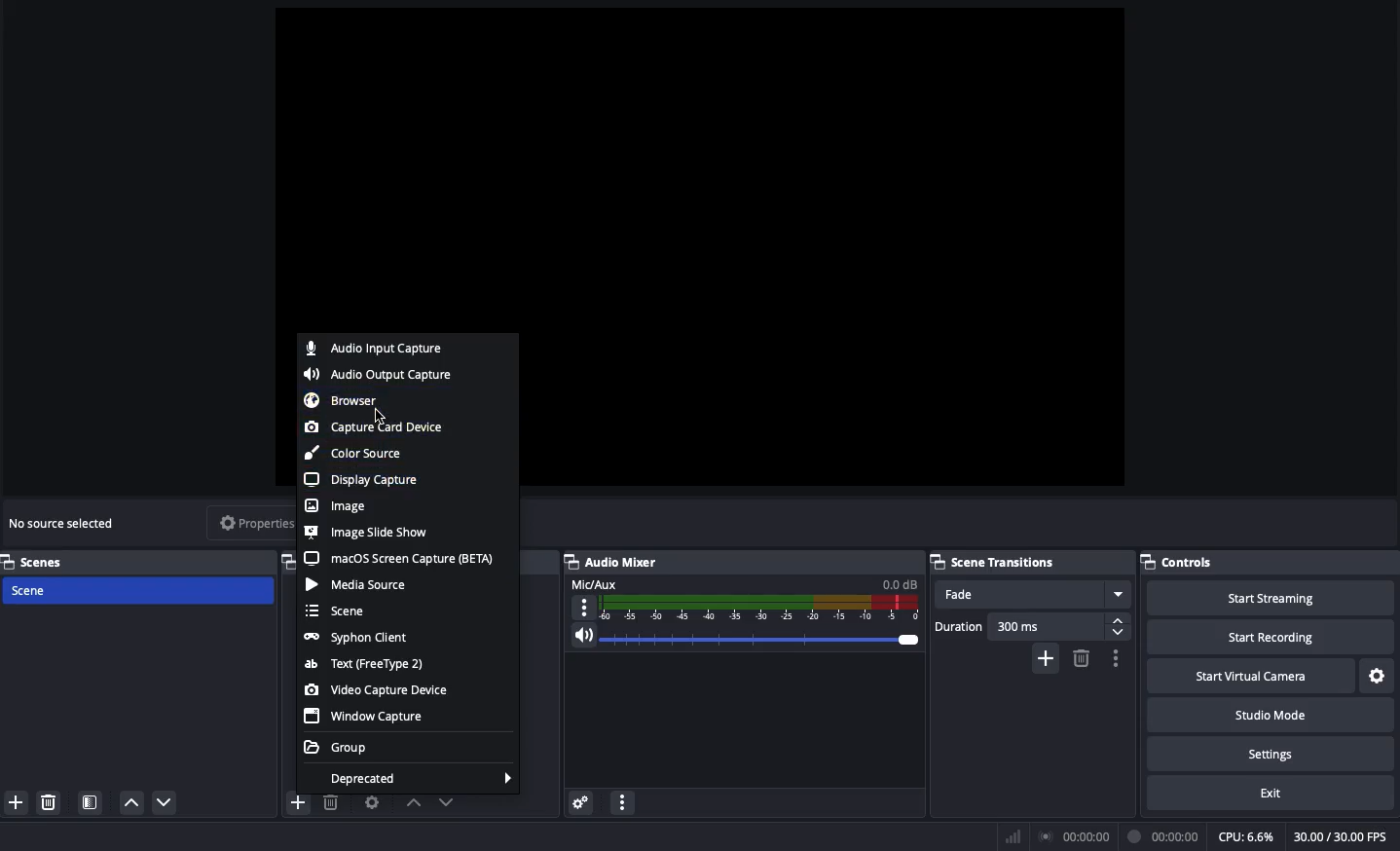  Describe the element at coordinates (53, 804) in the screenshot. I see `delete` at that location.